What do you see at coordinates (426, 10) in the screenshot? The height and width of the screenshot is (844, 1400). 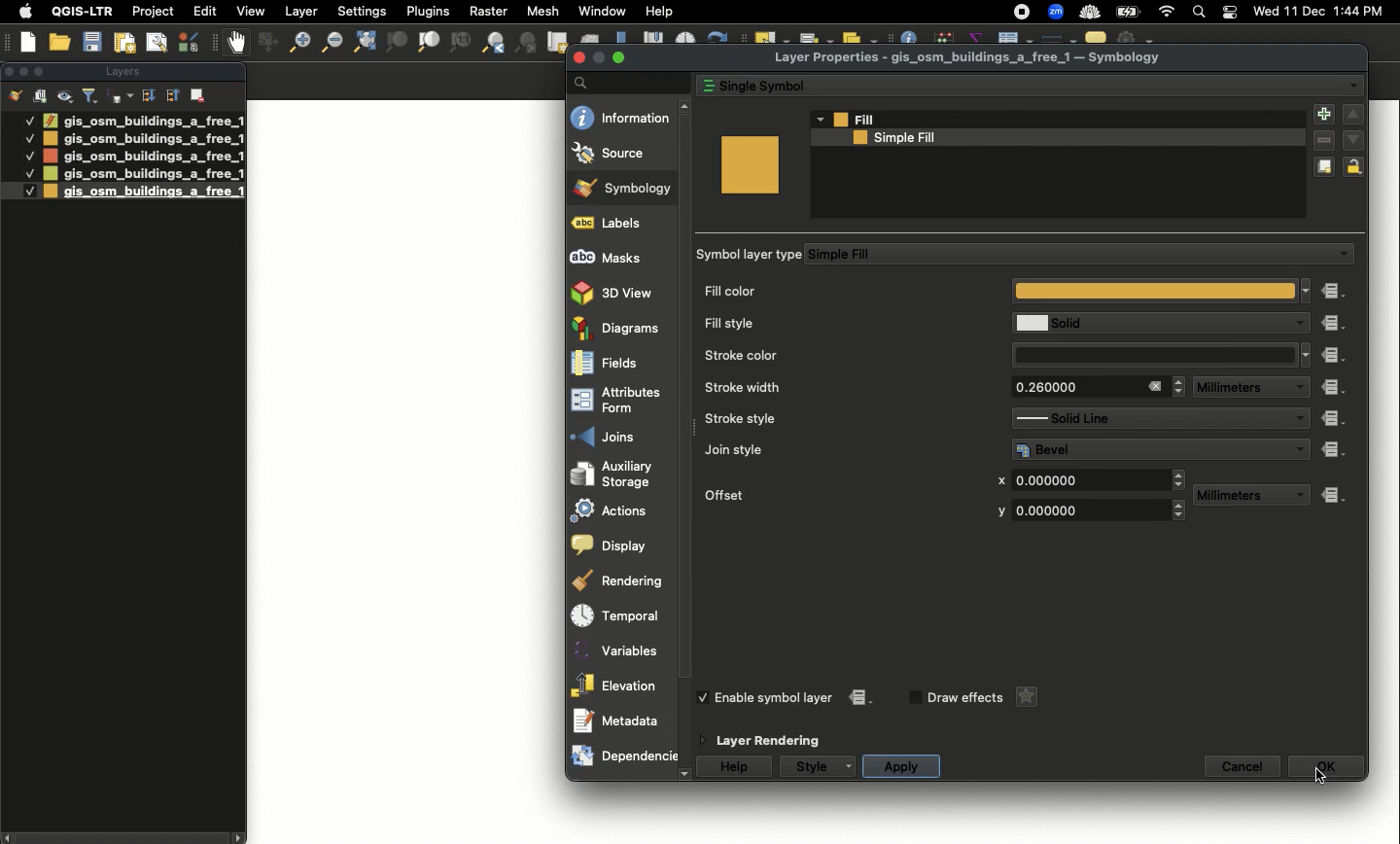 I see `Plugins` at bounding box center [426, 10].